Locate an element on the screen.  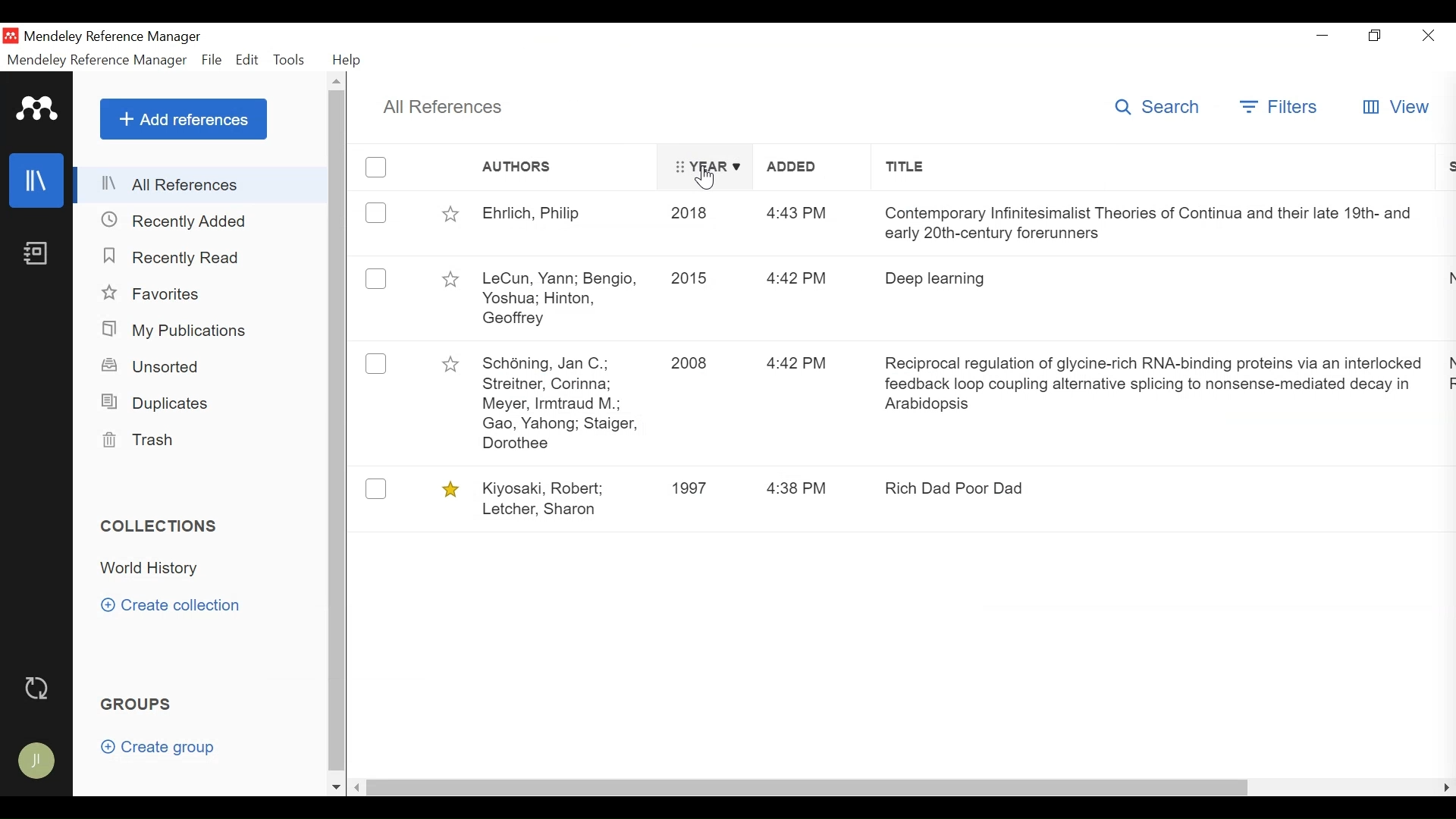
Title is located at coordinates (1161, 167).